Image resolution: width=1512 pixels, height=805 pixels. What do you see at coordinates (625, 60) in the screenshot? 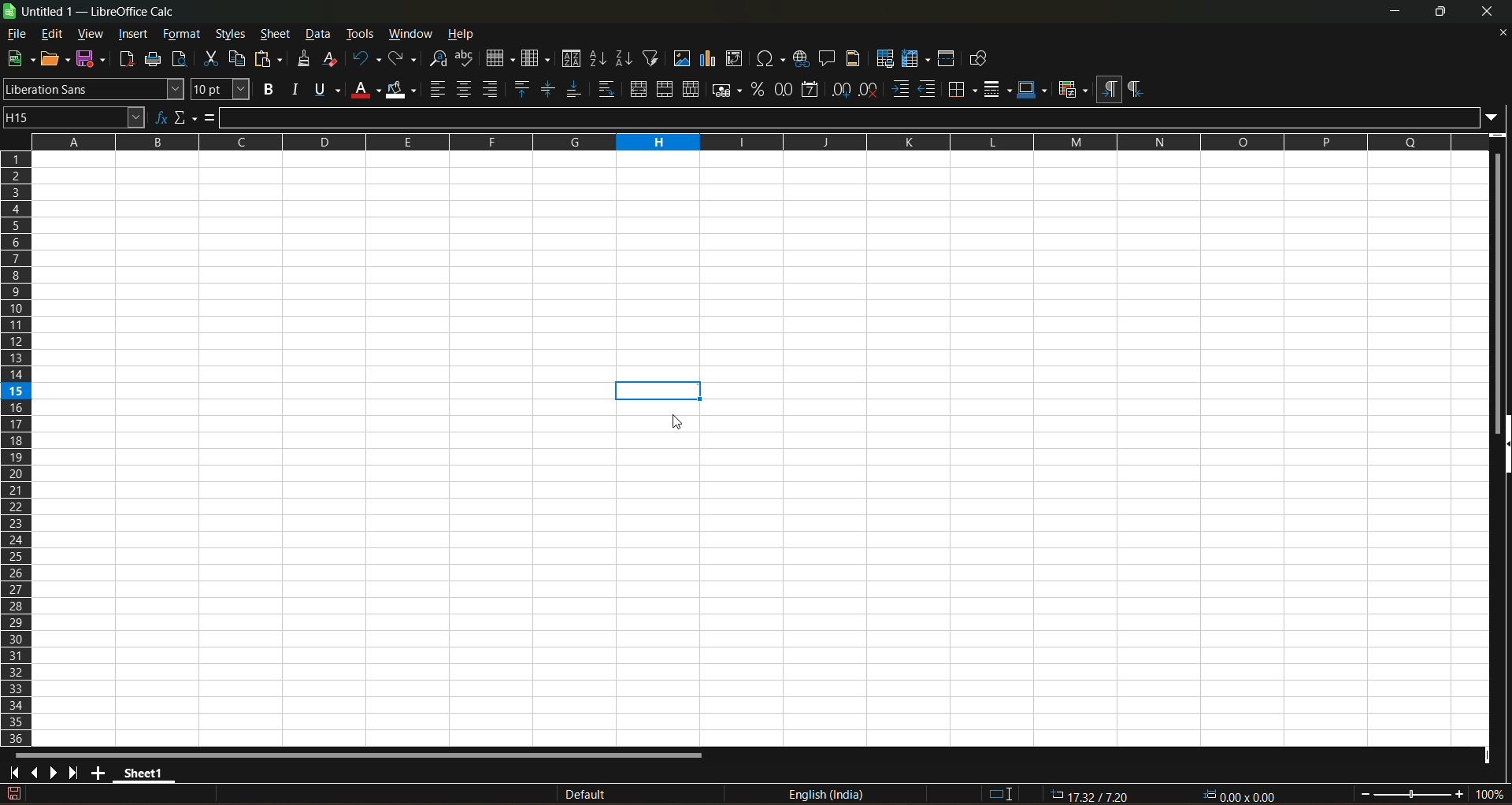
I see `sort descending` at bounding box center [625, 60].